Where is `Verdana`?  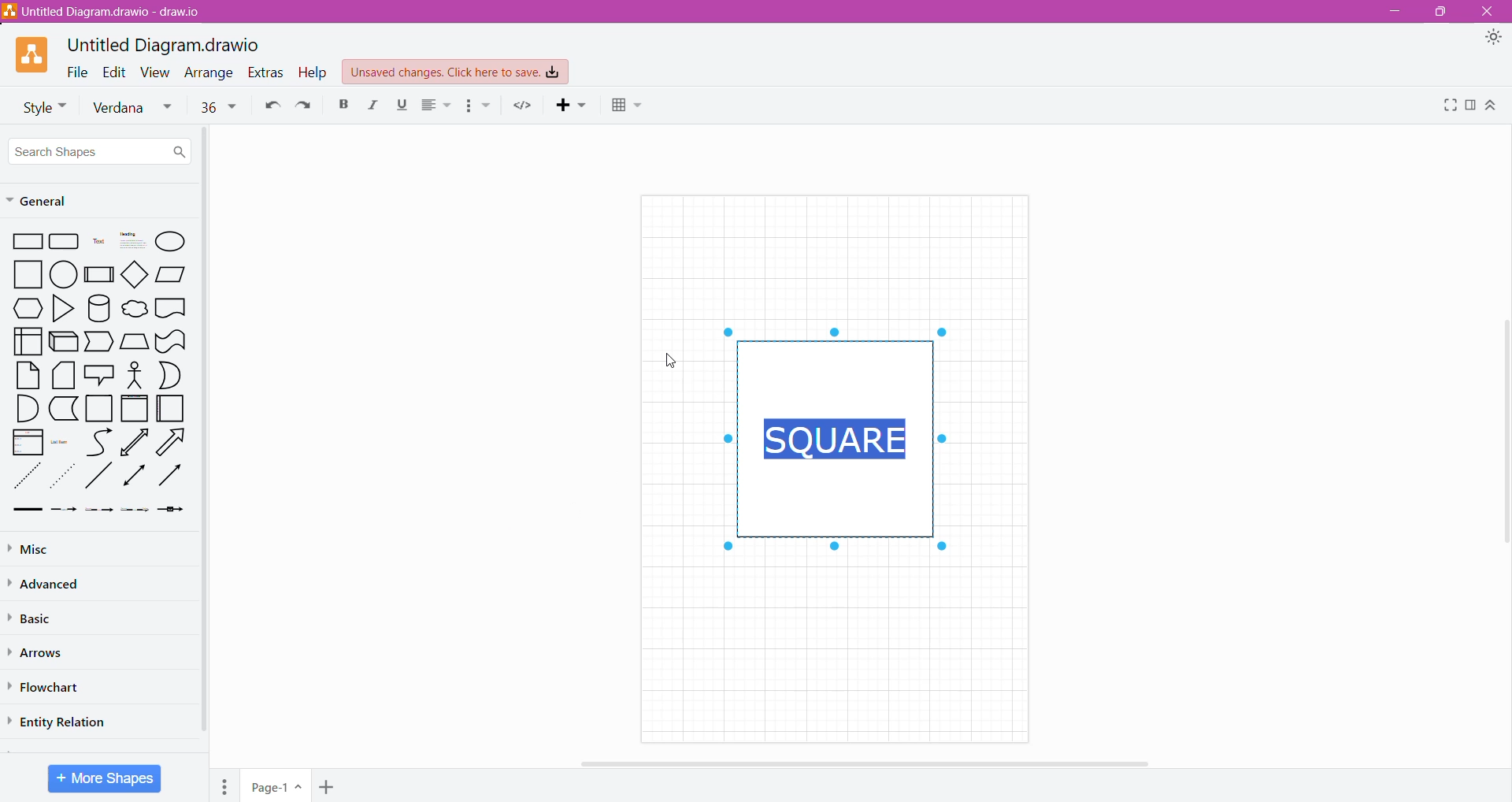
Verdana is located at coordinates (132, 109).